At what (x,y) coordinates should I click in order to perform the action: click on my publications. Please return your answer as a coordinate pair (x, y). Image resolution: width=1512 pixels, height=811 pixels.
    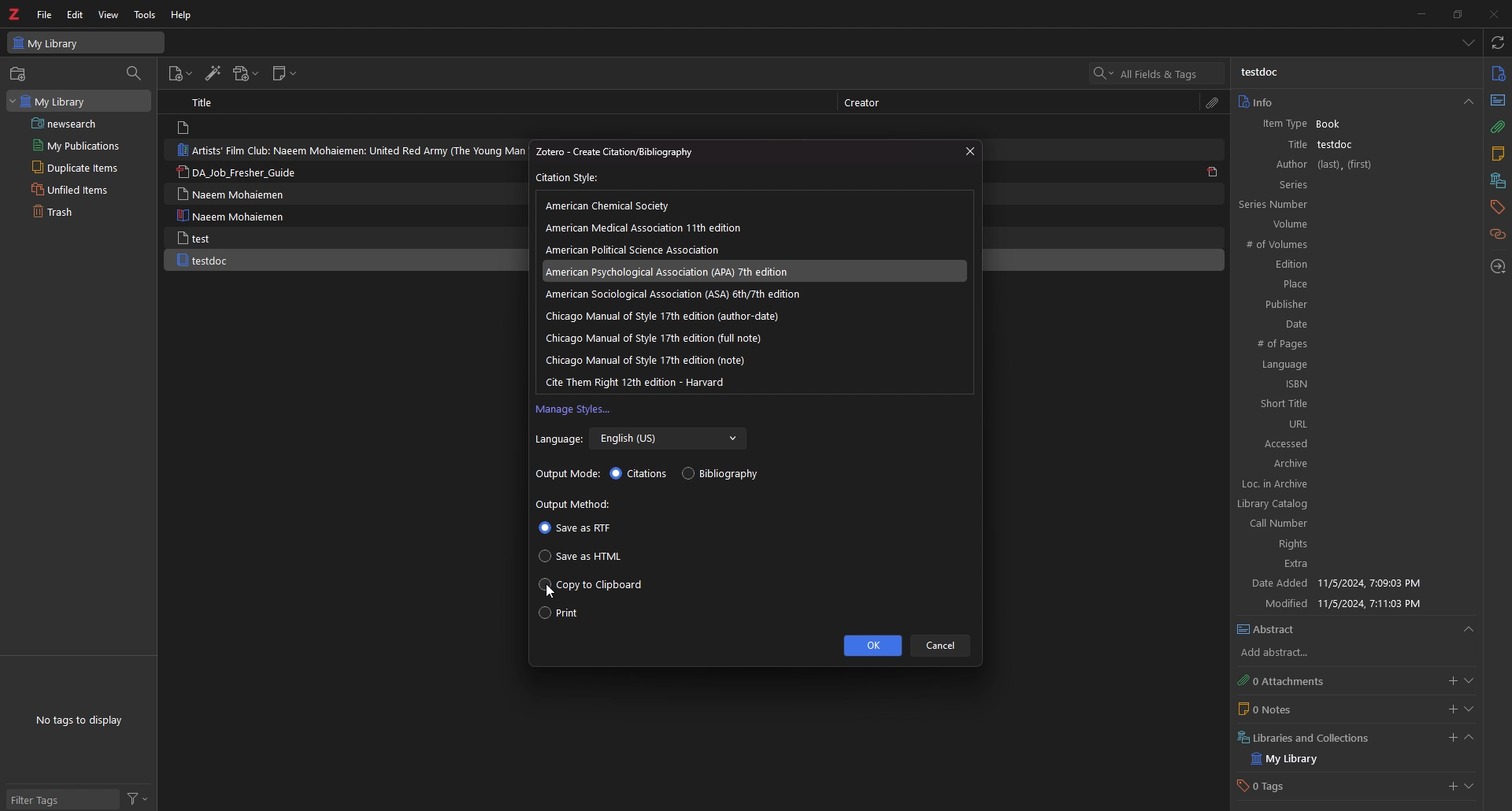
    Looking at the image, I should click on (77, 145).